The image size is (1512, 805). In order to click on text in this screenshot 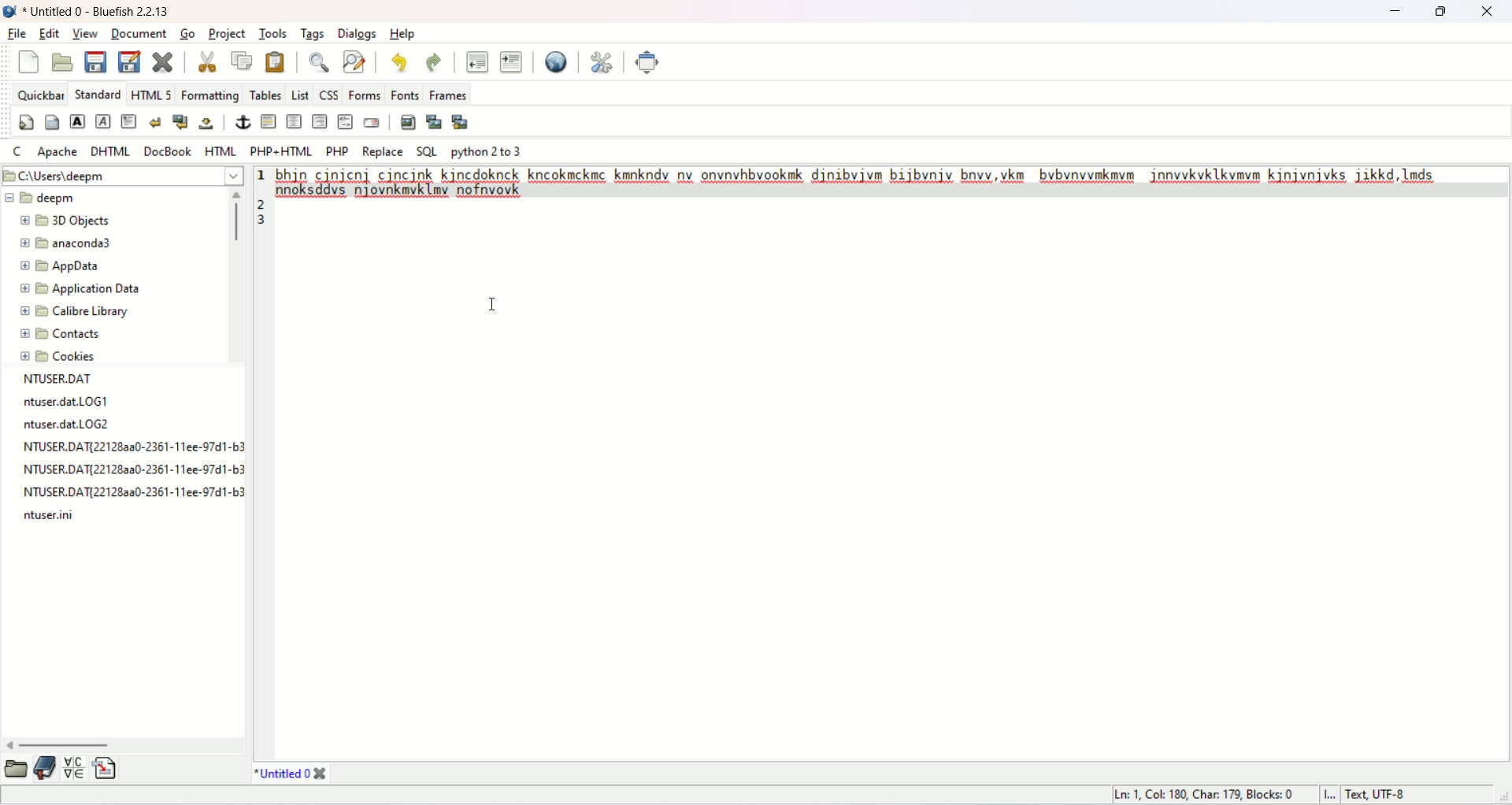, I will do `click(883, 183)`.